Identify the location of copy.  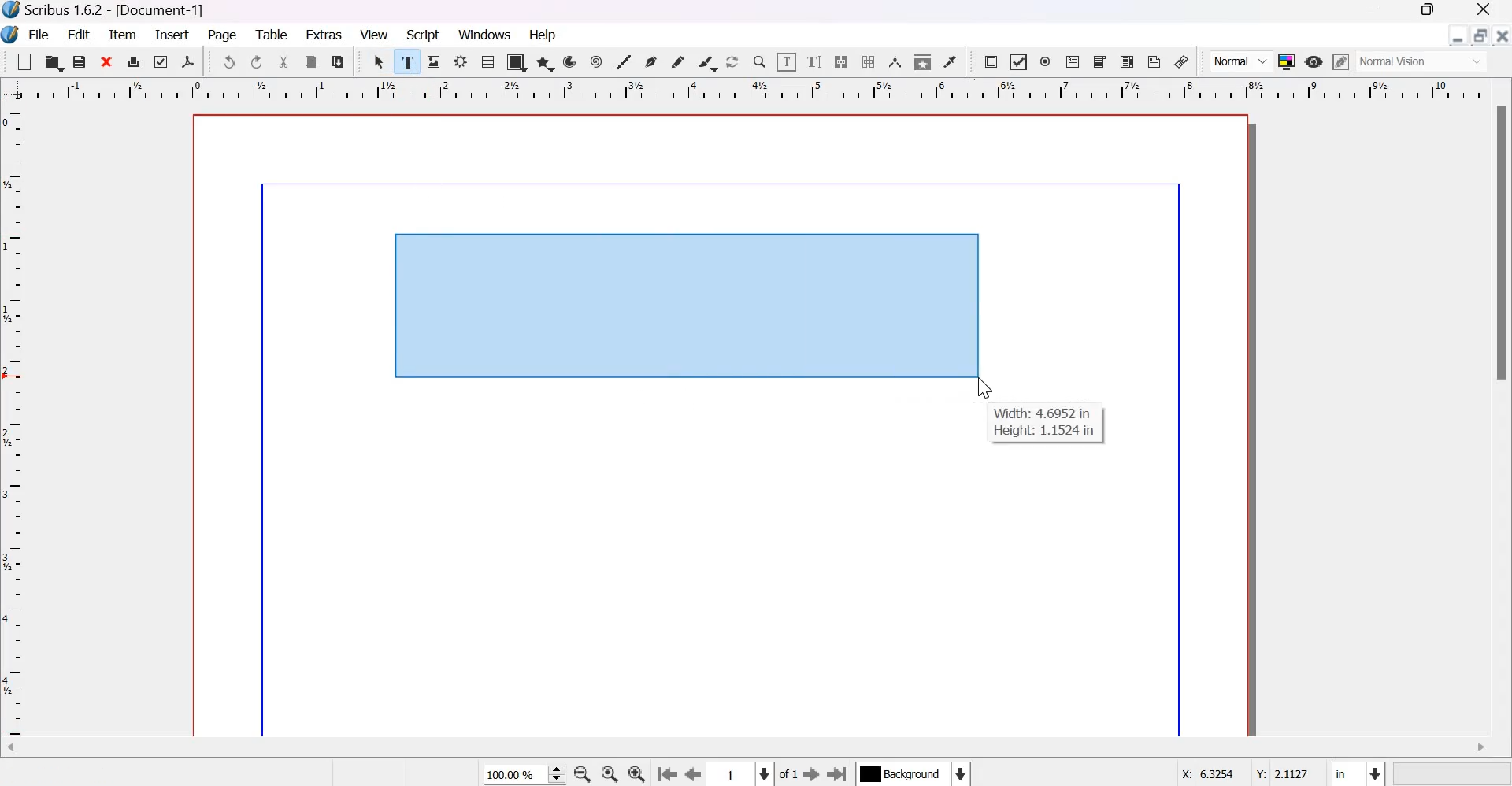
(312, 62).